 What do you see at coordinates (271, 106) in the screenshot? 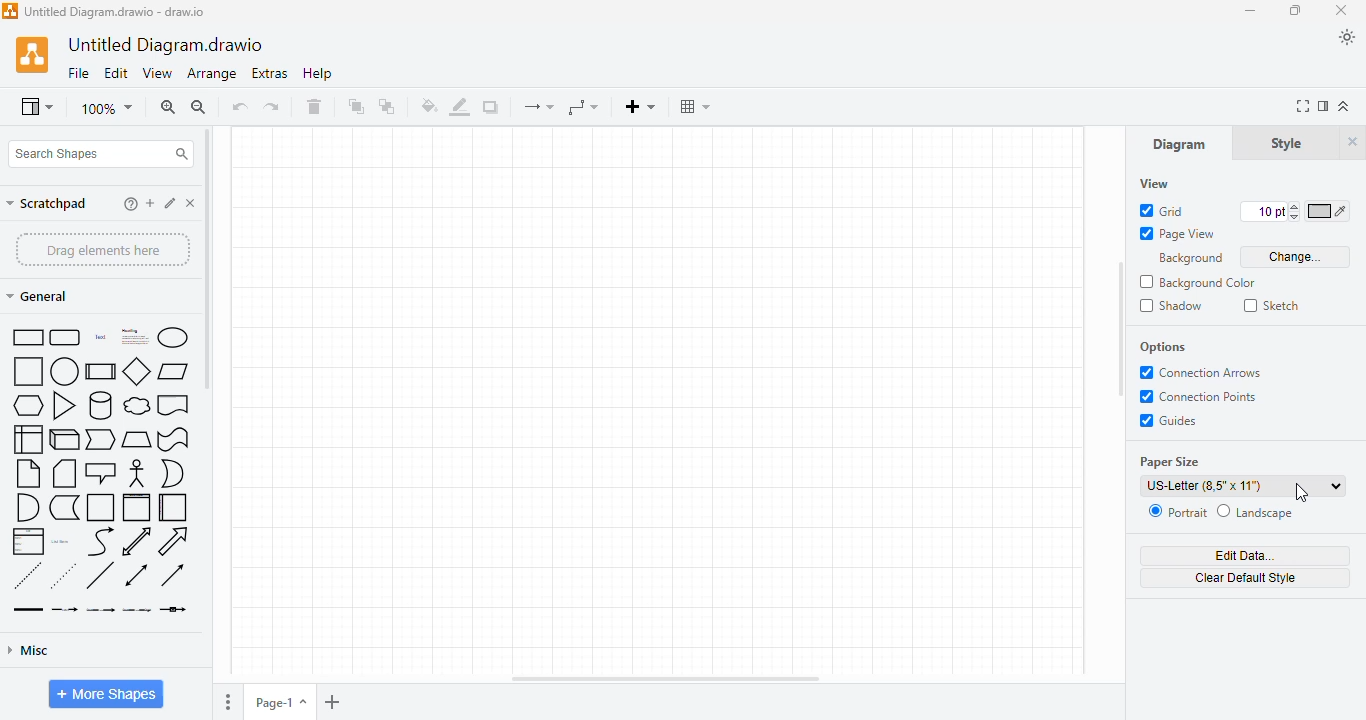
I see `redo` at bounding box center [271, 106].